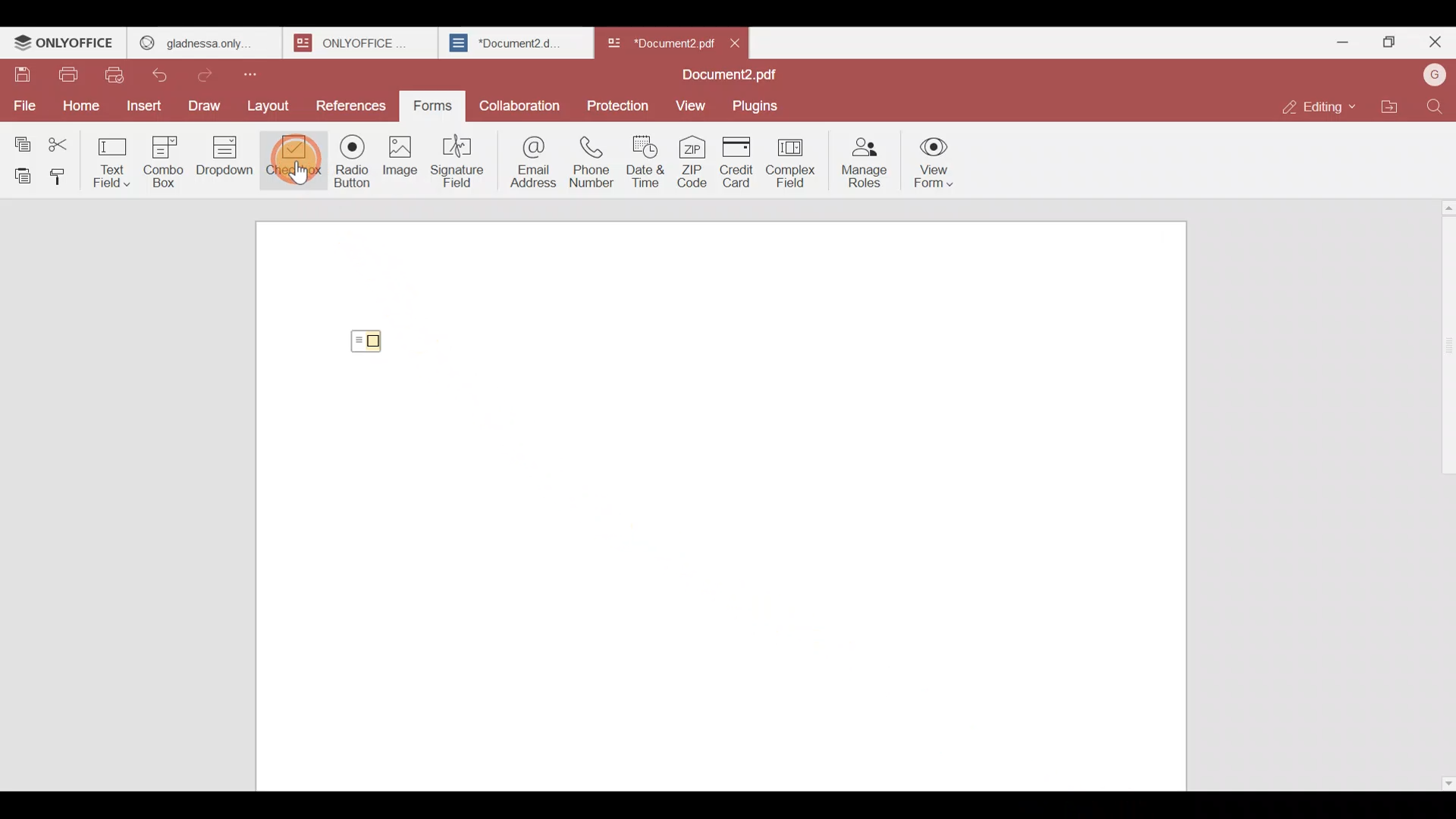 The width and height of the screenshot is (1456, 819). What do you see at coordinates (693, 105) in the screenshot?
I see `View` at bounding box center [693, 105].